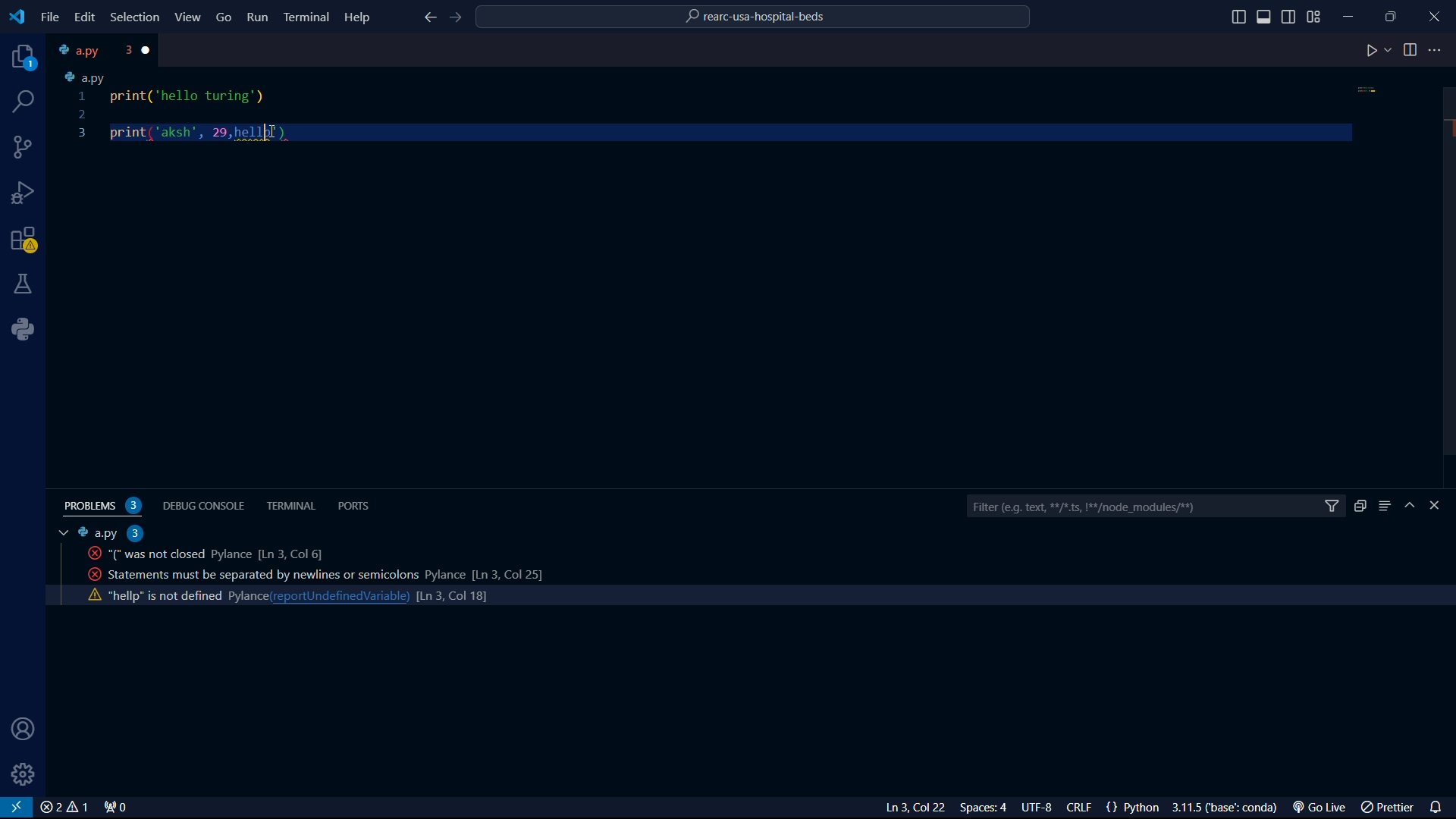 This screenshot has height=819, width=1456. What do you see at coordinates (1378, 52) in the screenshot?
I see `play` at bounding box center [1378, 52].